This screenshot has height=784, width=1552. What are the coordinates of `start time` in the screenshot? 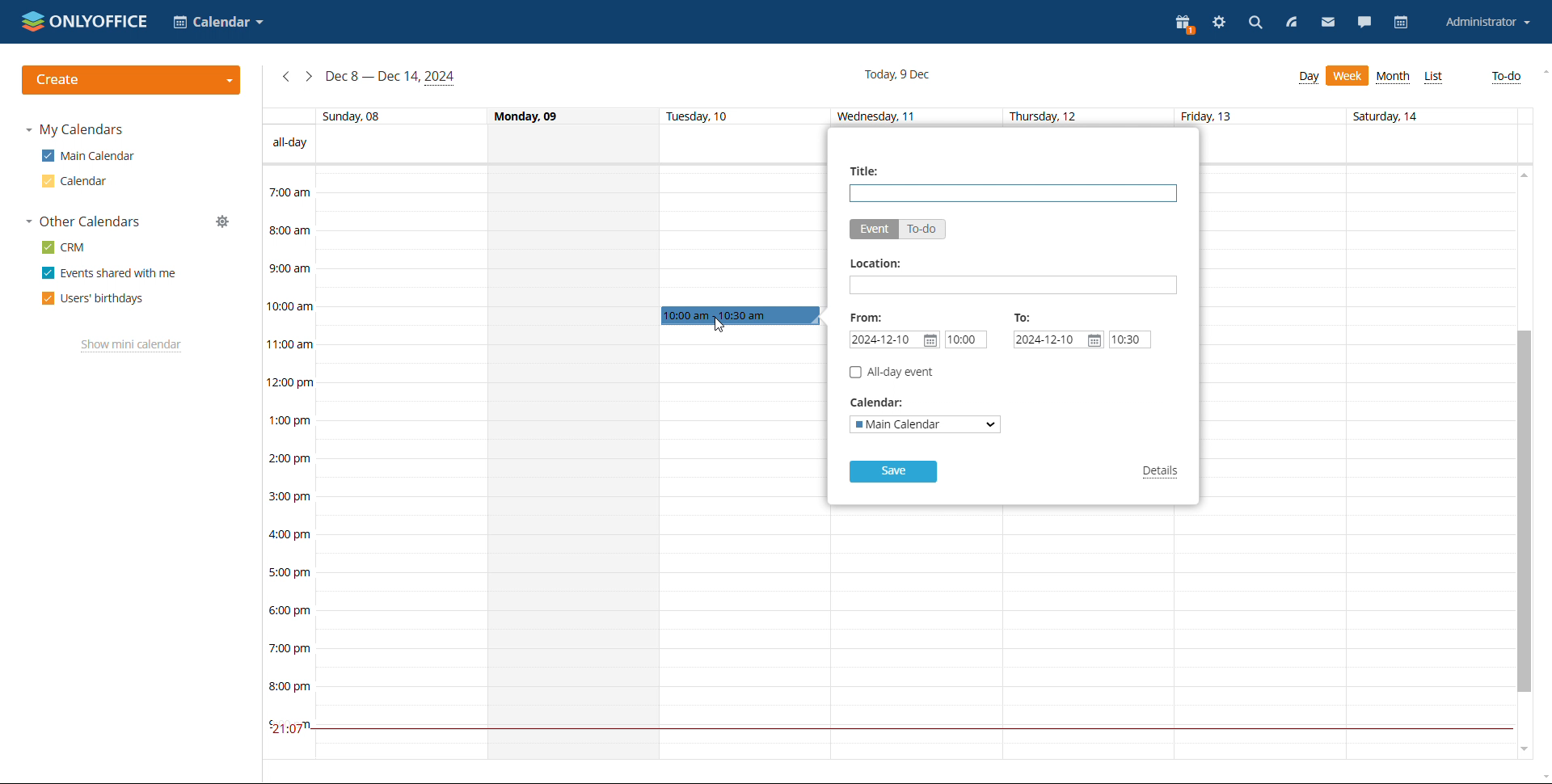 It's located at (965, 339).